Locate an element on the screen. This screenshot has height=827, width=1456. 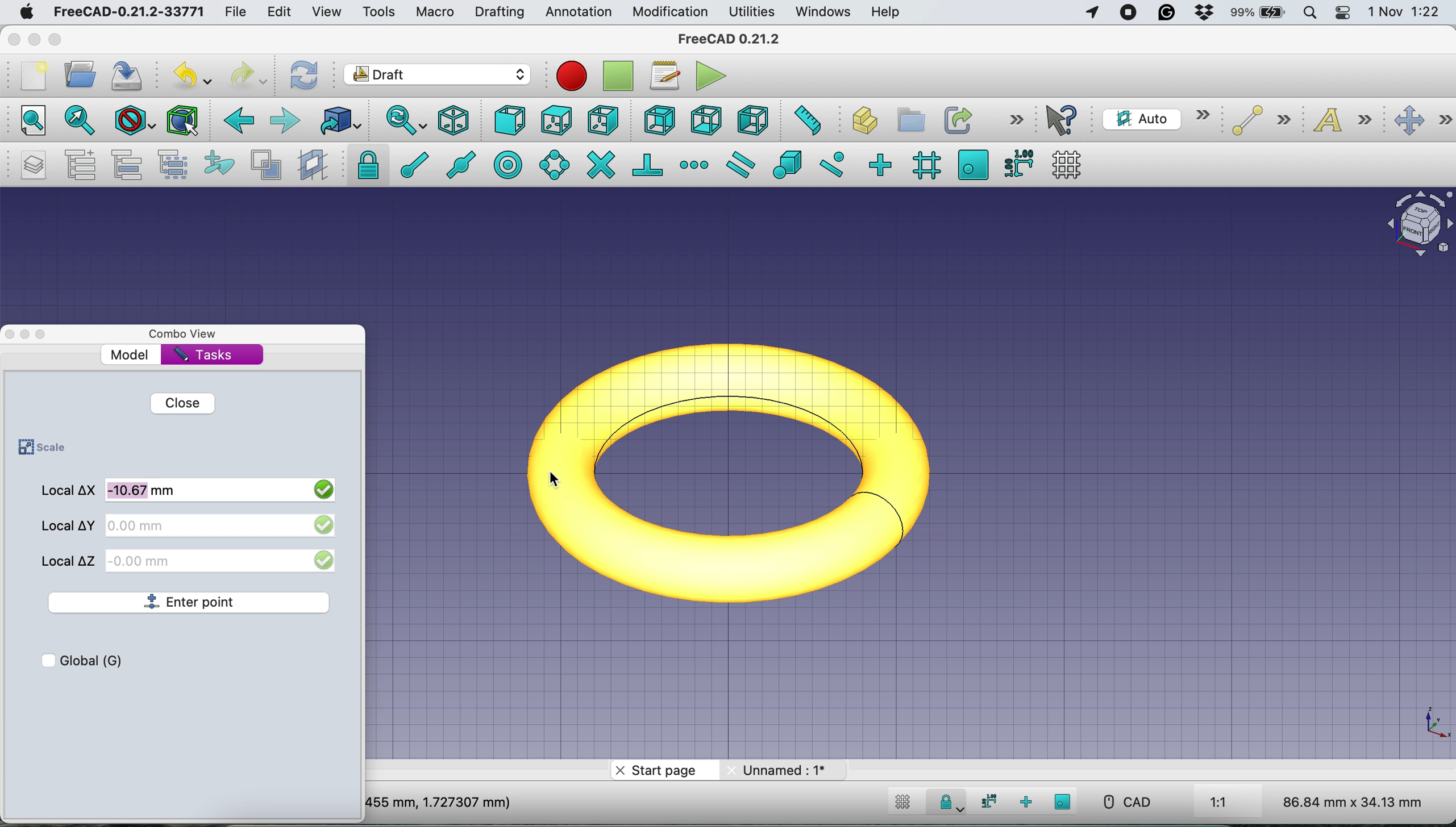
drafting is located at coordinates (499, 13).